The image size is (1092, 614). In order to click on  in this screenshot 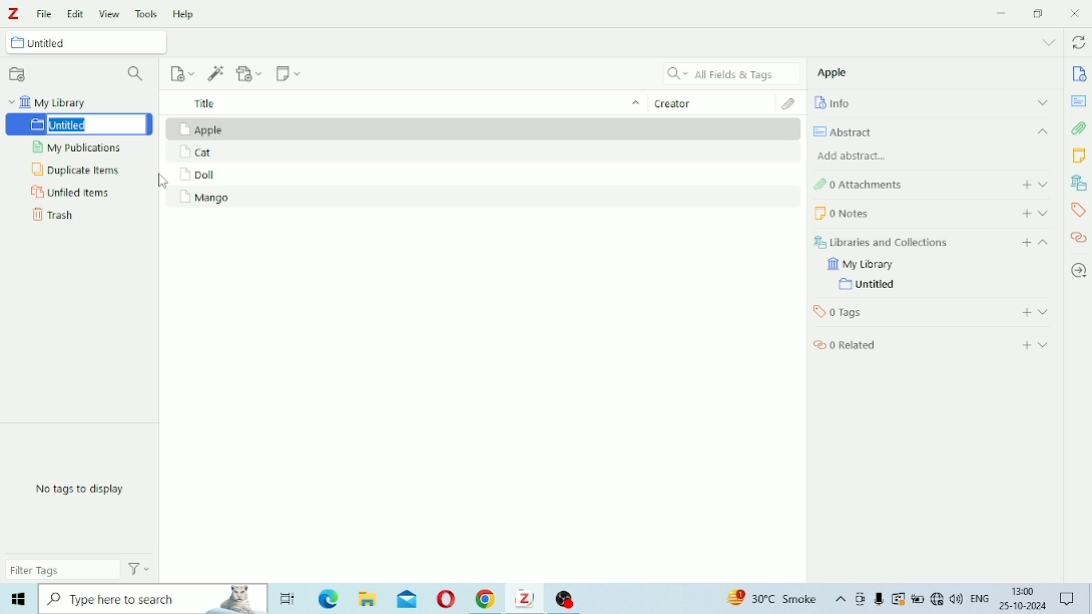, I will do `click(154, 598)`.